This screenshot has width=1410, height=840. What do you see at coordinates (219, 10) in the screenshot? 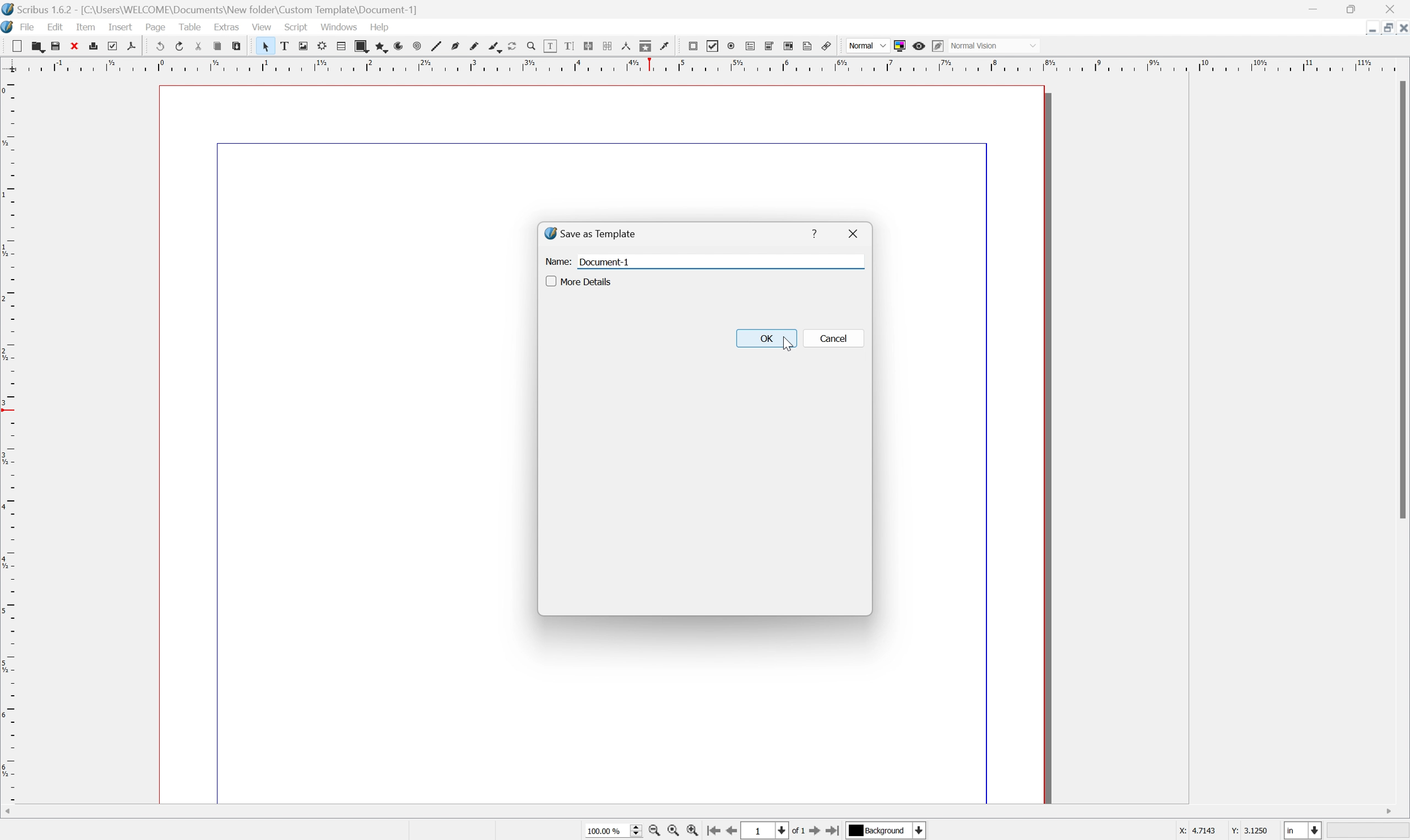
I see `Scribus 1.6.2 - [Document-1*]` at bounding box center [219, 10].